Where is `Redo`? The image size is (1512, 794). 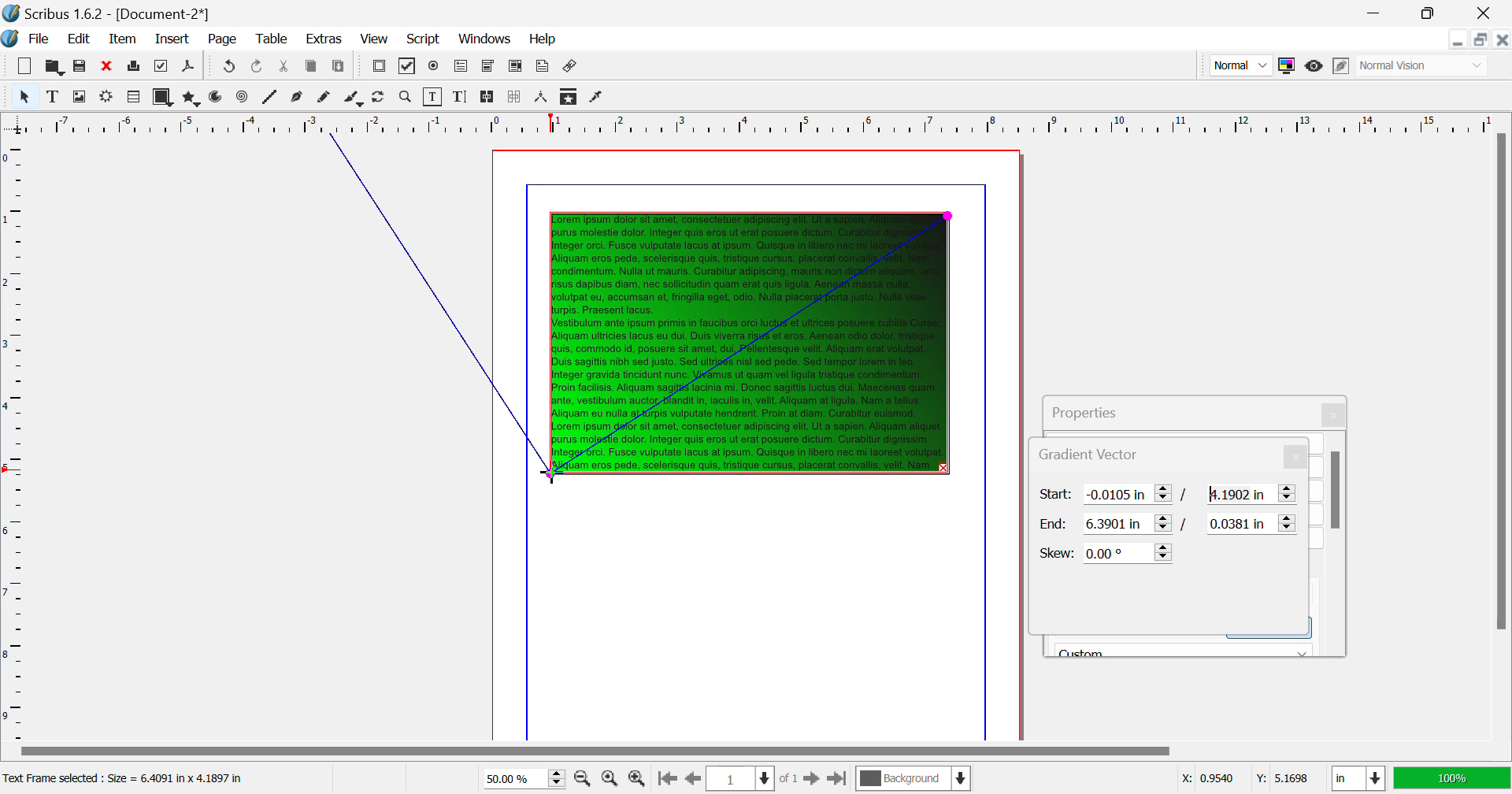
Redo is located at coordinates (227, 68).